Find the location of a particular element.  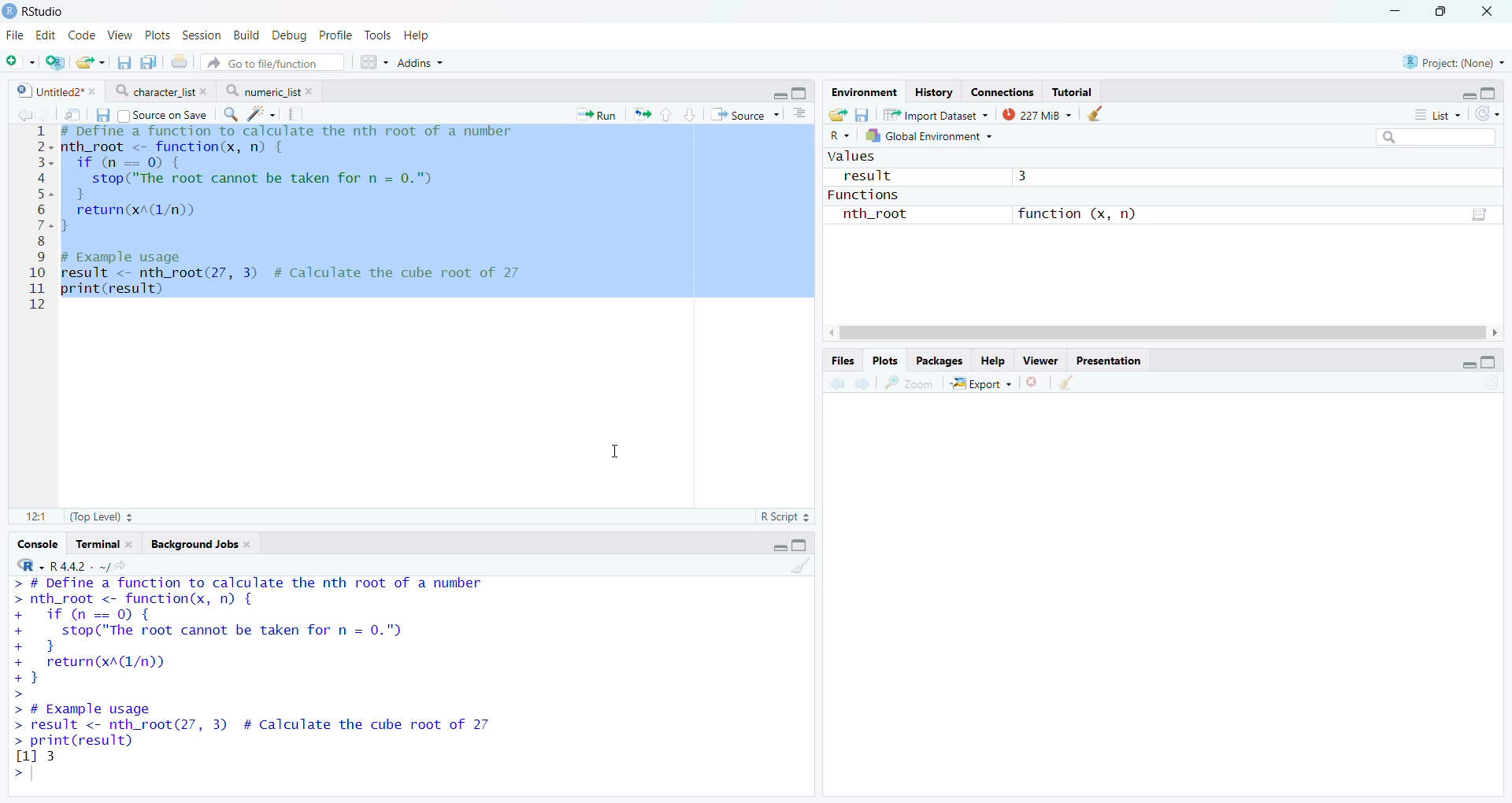

Addins is located at coordinates (421, 63).